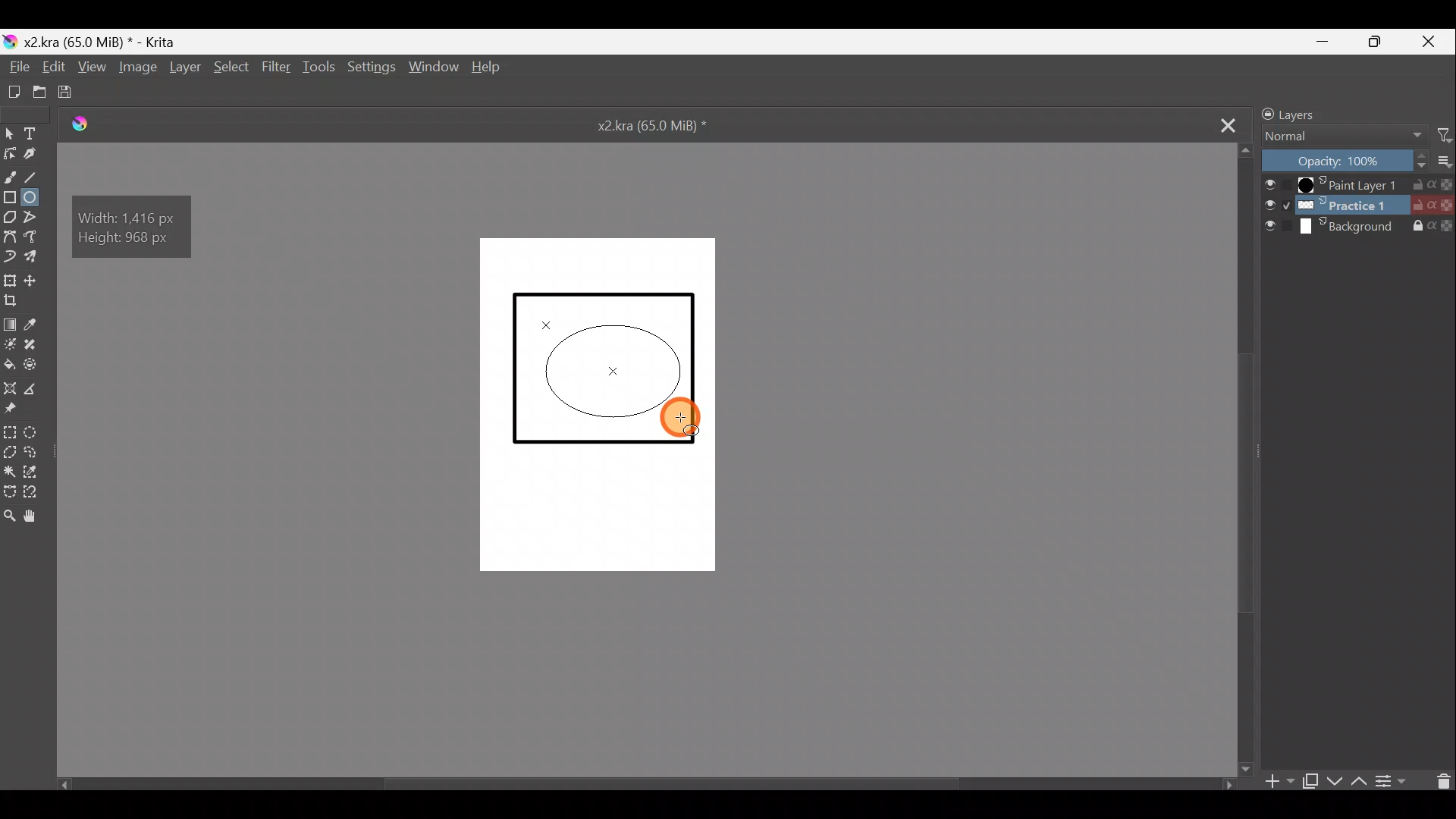 The image size is (1456, 819). What do you see at coordinates (1396, 783) in the screenshot?
I see `View/change layer properties` at bounding box center [1396, 783].